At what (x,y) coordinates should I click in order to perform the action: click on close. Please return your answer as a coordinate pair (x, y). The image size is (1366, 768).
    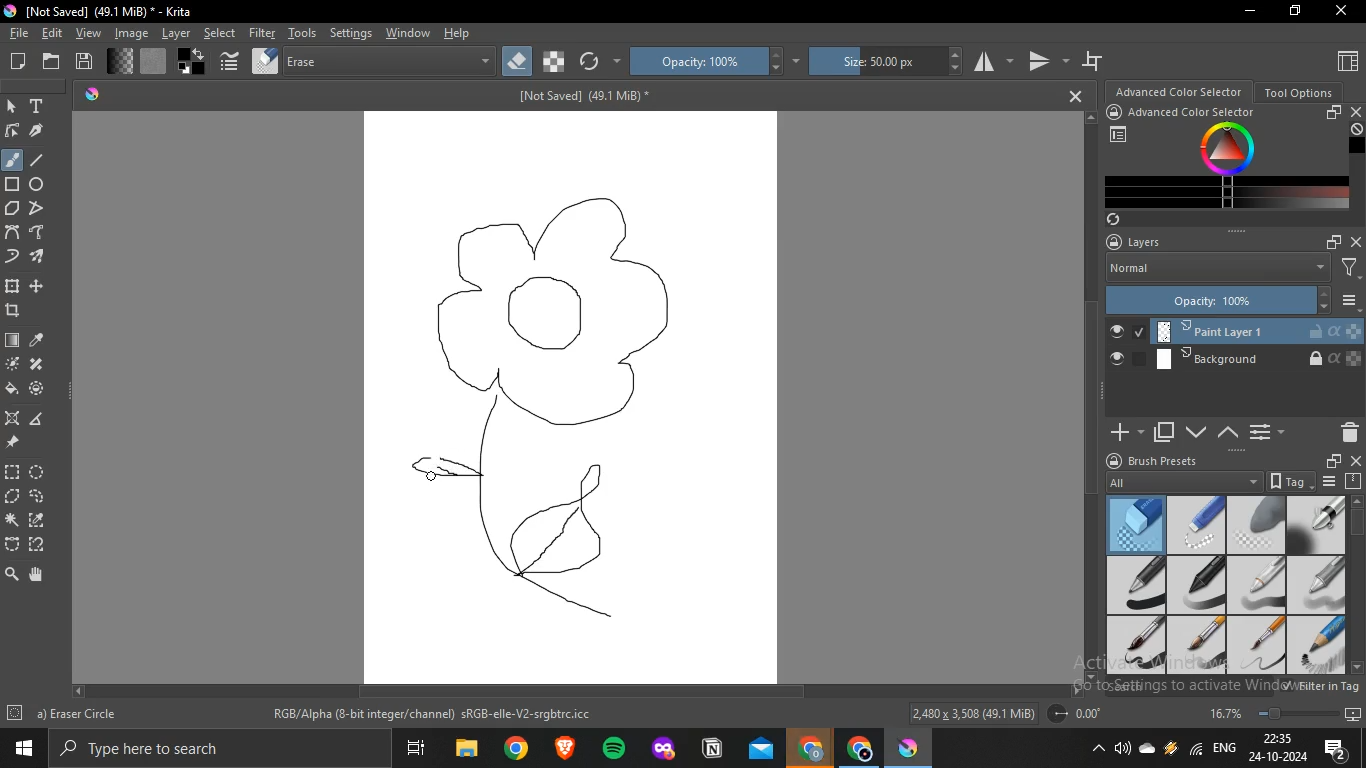
    Looking at the image, I should click on (1356, 240).